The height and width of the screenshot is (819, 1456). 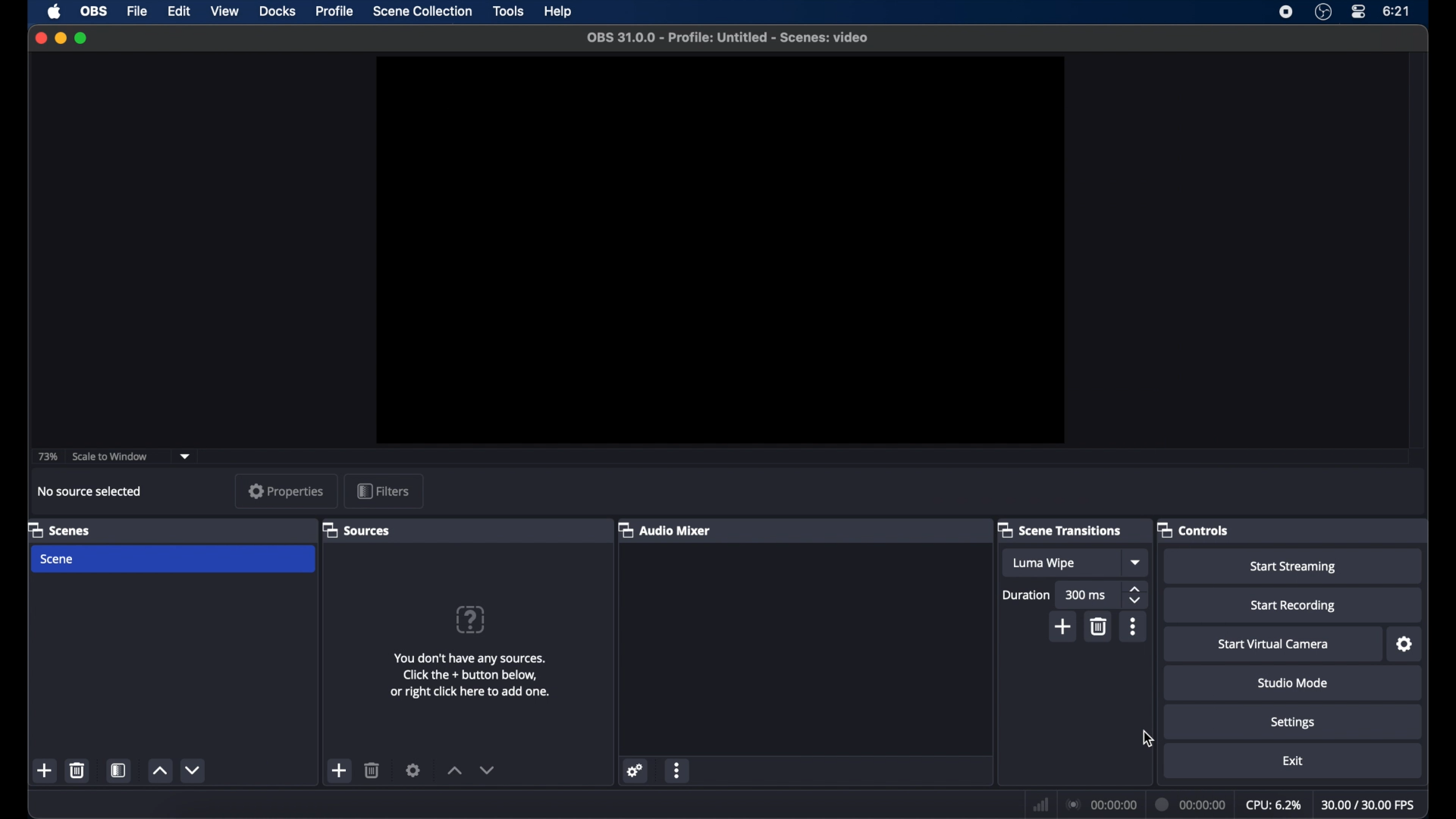 What do you see at coordinates (54, 12) in the screenshot?
I see `apple icon` at bounding box center [54, 12].